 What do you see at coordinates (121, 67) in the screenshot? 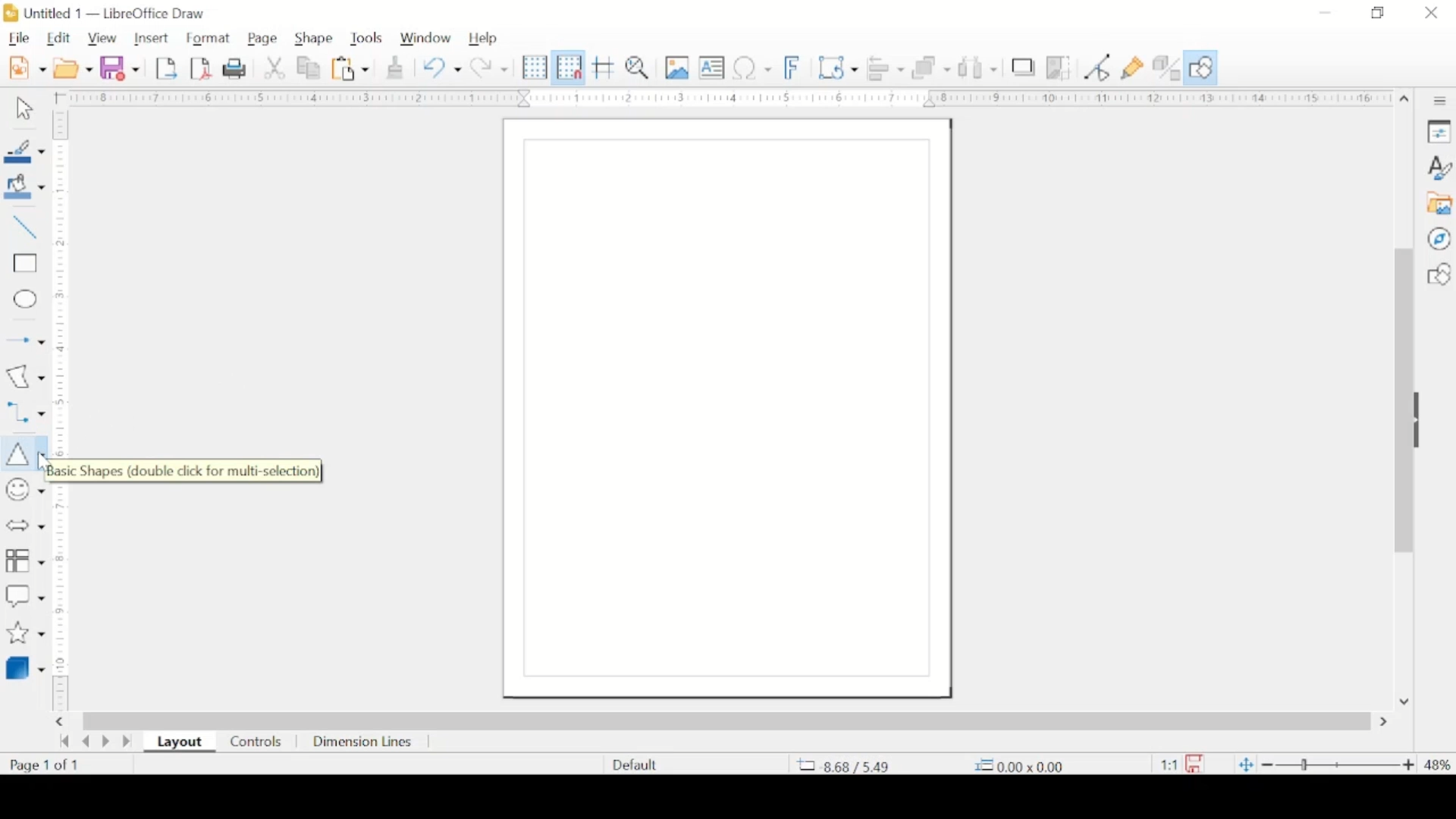
I see `save` at bounding box center [121, 67].